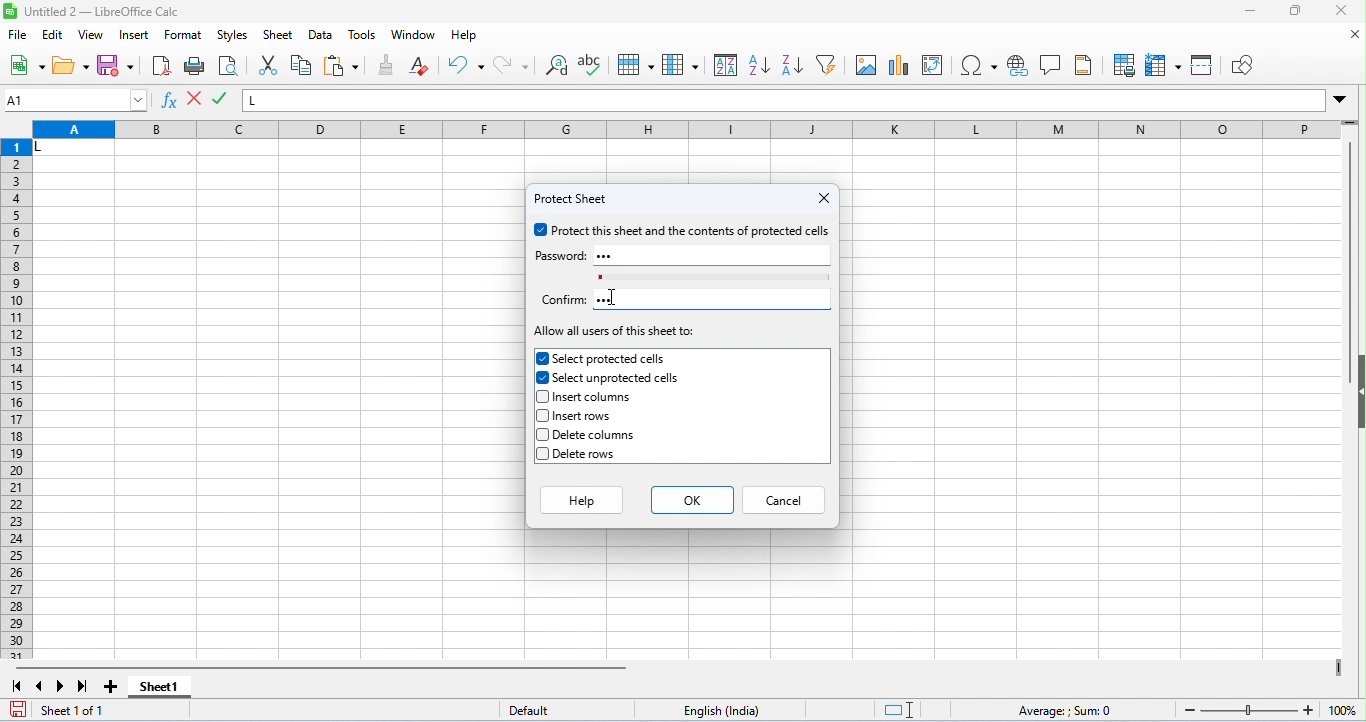  What do you see at coordinates (580, 498) in the screenshot?
I see `help` at bounding box center [580, 498].